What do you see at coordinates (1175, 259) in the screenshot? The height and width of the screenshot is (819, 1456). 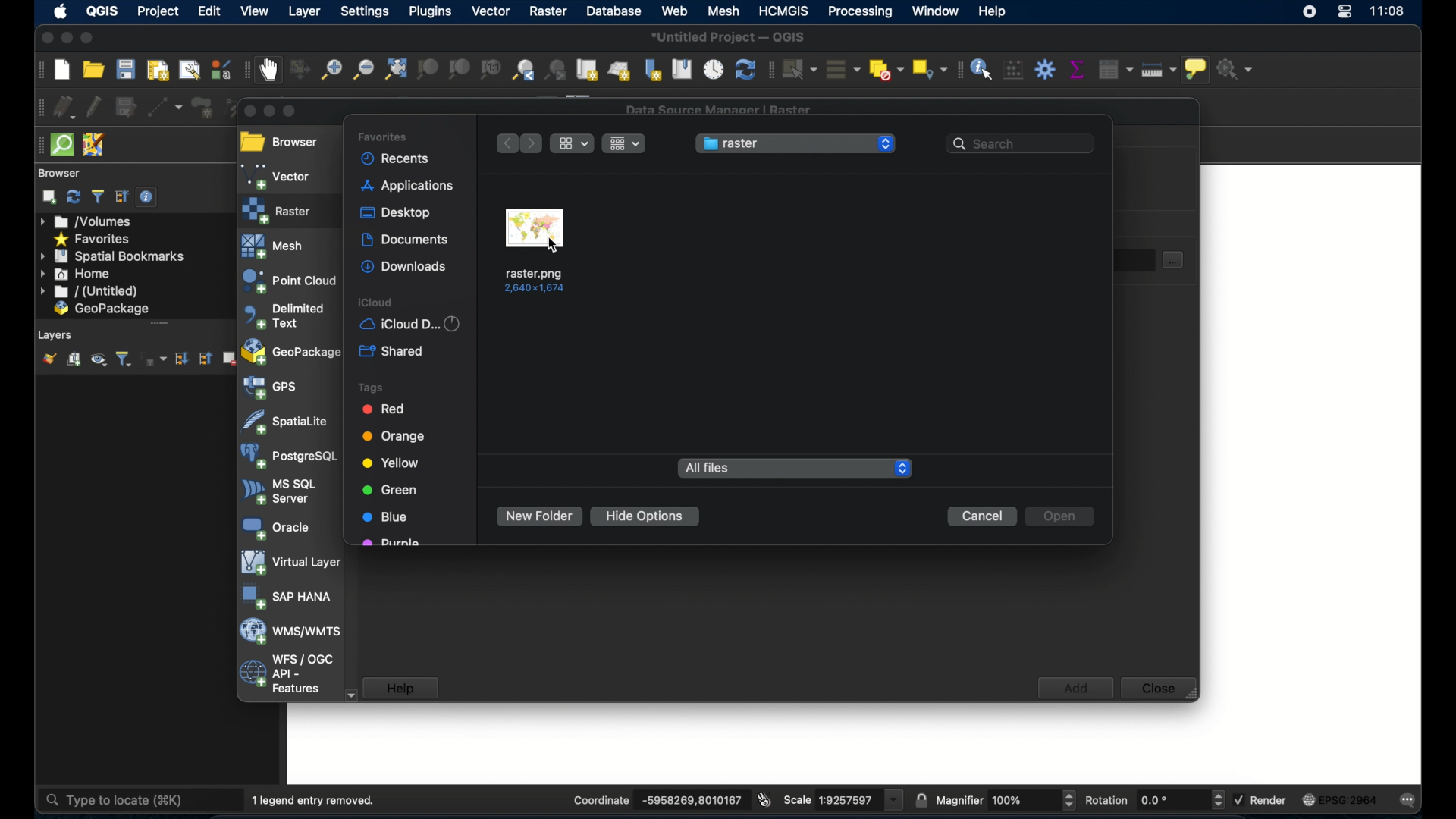 I see `document select button` at bounding box center [1175, 259].